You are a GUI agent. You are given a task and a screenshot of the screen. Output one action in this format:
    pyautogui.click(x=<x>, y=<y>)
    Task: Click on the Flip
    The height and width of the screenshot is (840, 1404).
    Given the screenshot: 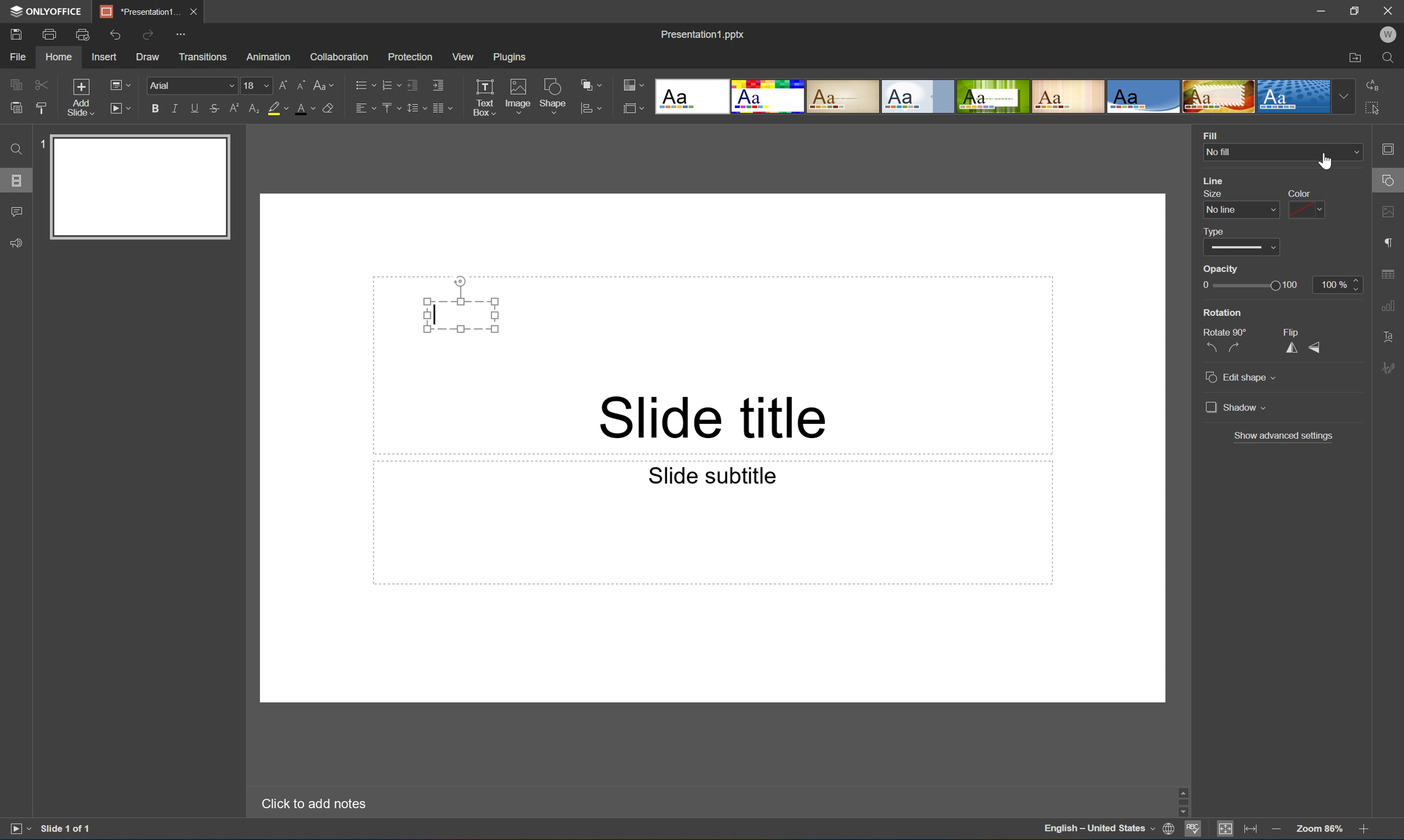 What is the action you would take?
    pyautogui.click(x=1289, y=331)
    